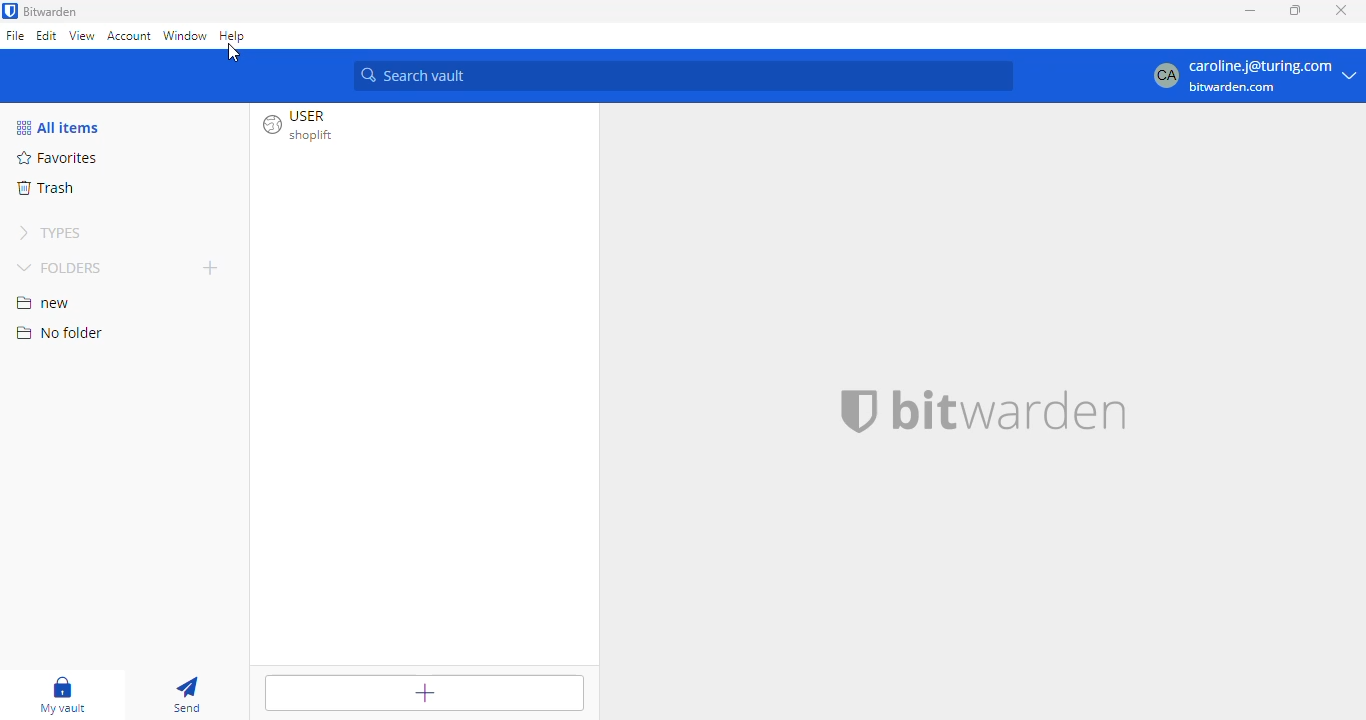  Describe the element at coordinates (233, 36) in the screenshot. I see `help` at that location.